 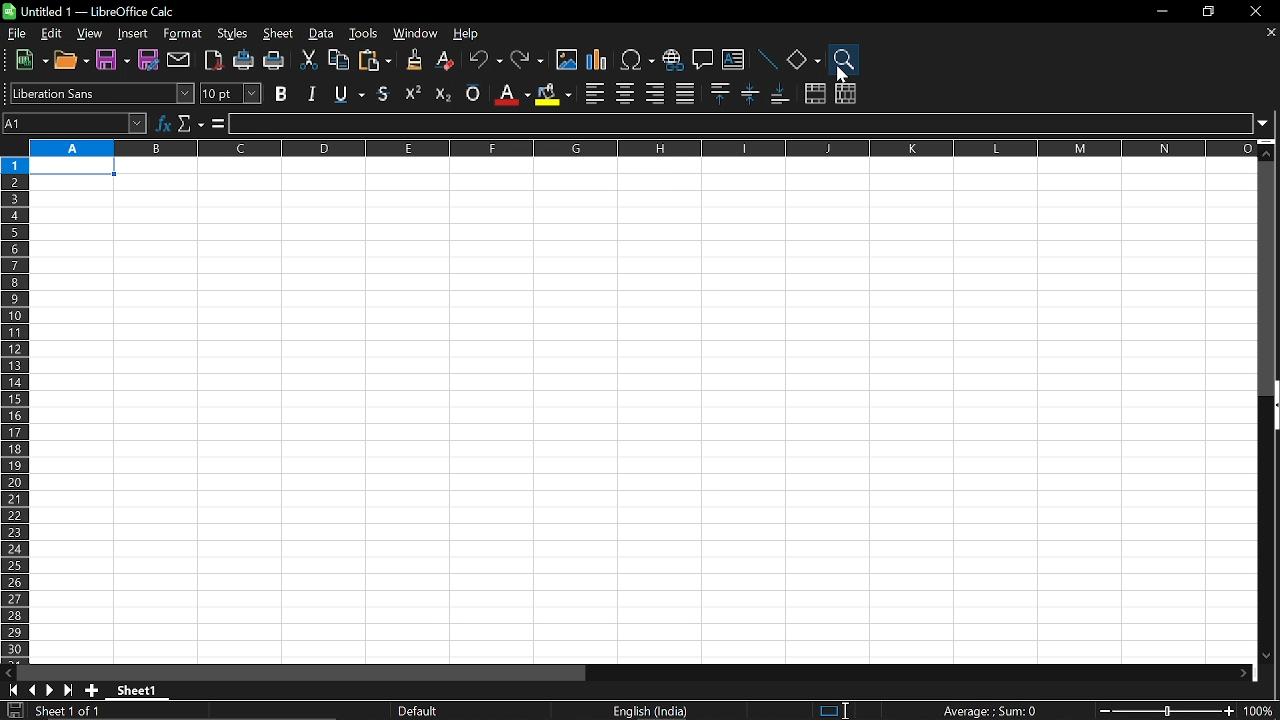 What do you see at coordinates (133, 35) in the screenshot?
I see `Insert` at bounding box center [133, 35].